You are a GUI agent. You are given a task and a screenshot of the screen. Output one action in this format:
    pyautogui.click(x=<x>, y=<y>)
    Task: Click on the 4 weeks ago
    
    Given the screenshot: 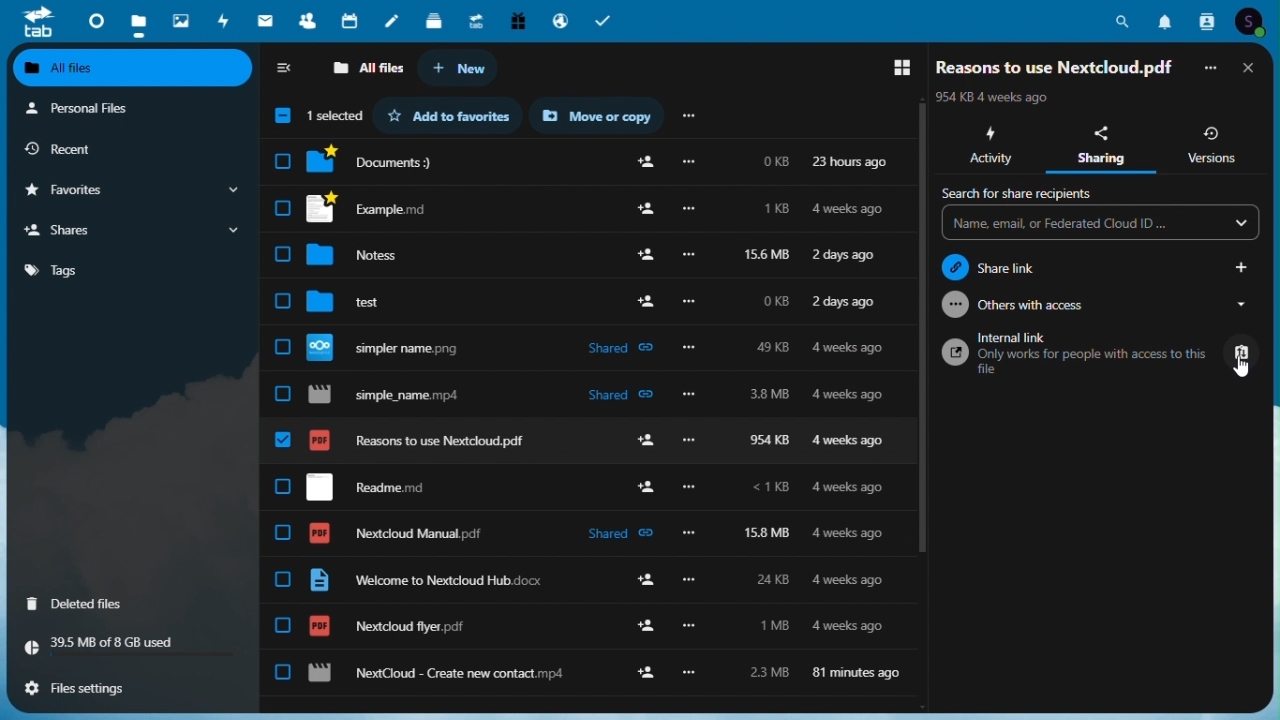 What is the action you would take?
    pyautogui.click(x=847, y=626)
    